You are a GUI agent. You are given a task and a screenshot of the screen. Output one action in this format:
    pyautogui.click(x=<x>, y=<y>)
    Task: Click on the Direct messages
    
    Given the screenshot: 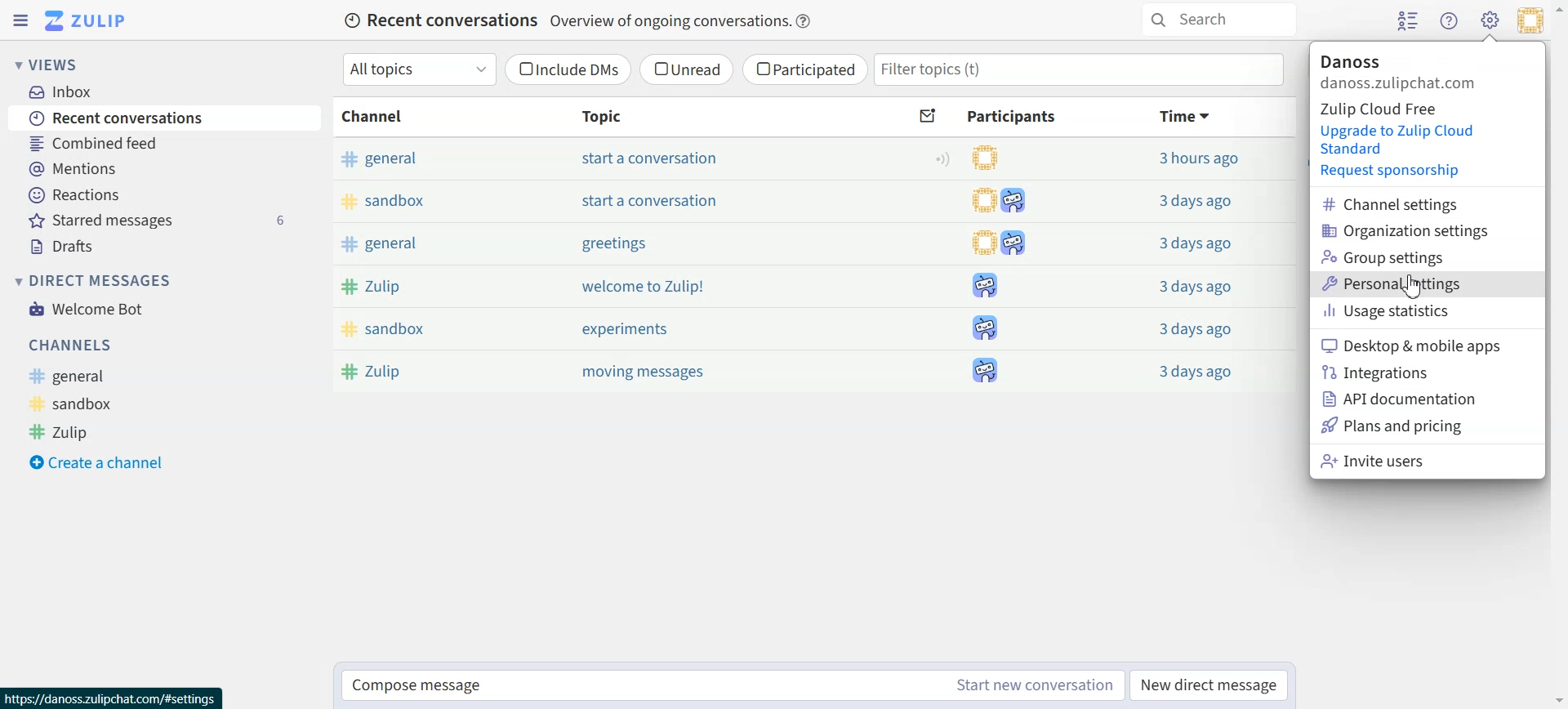 What is the action you would take?
    pyautogui.click(x=91, y=281)
    